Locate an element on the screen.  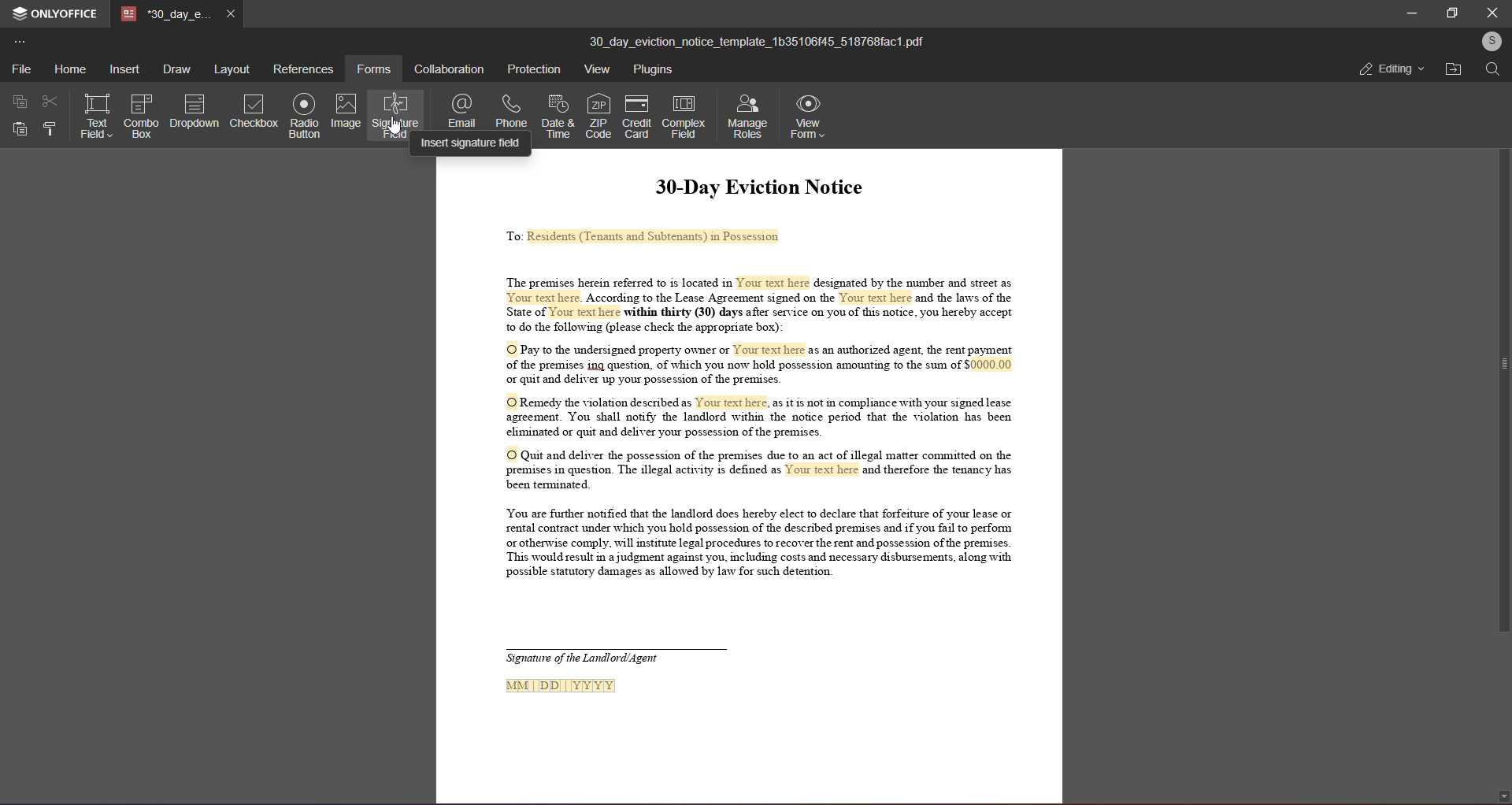
draw is located at coordinates (176, 69).